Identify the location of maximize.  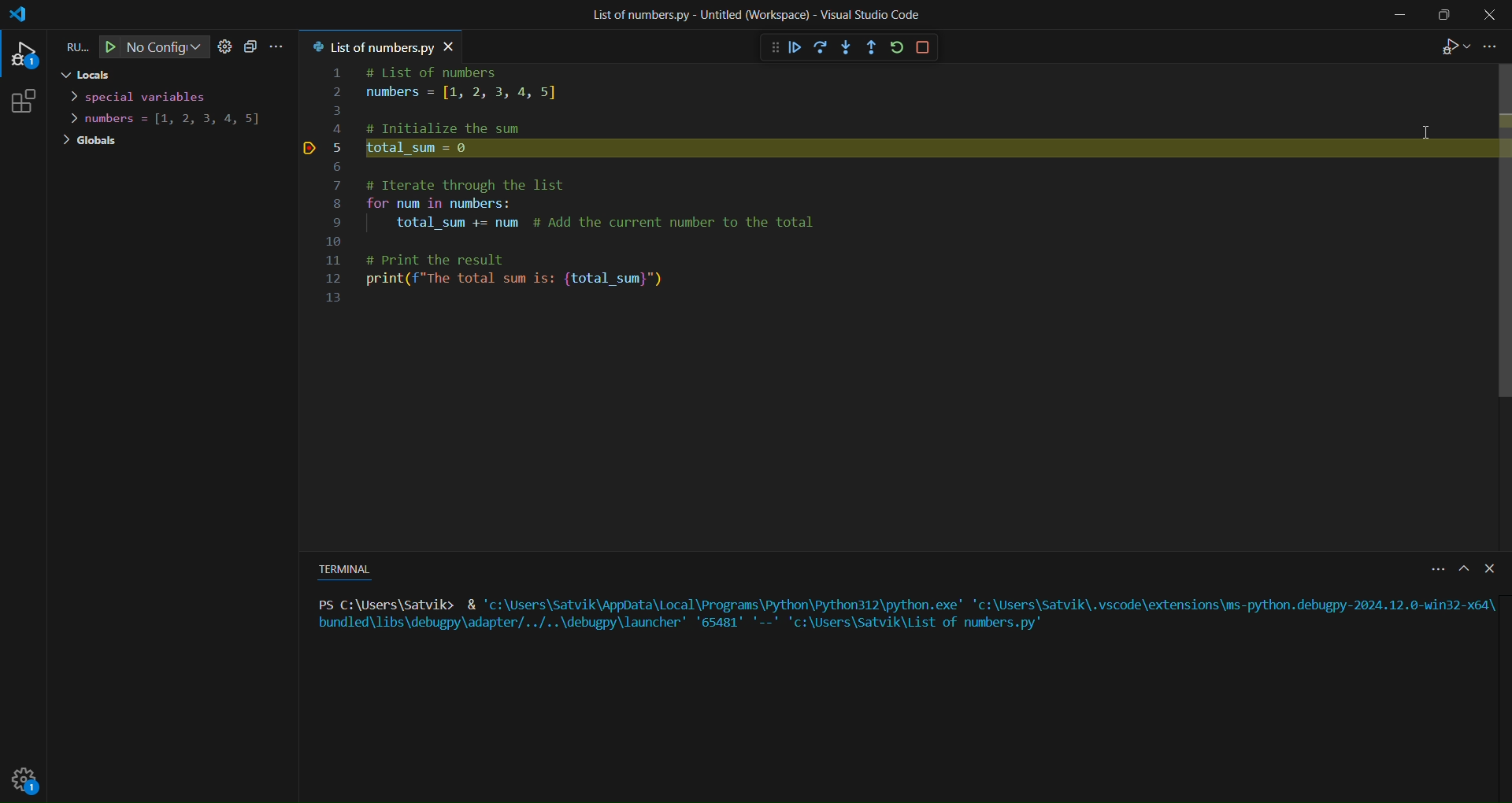
(1441, 18).